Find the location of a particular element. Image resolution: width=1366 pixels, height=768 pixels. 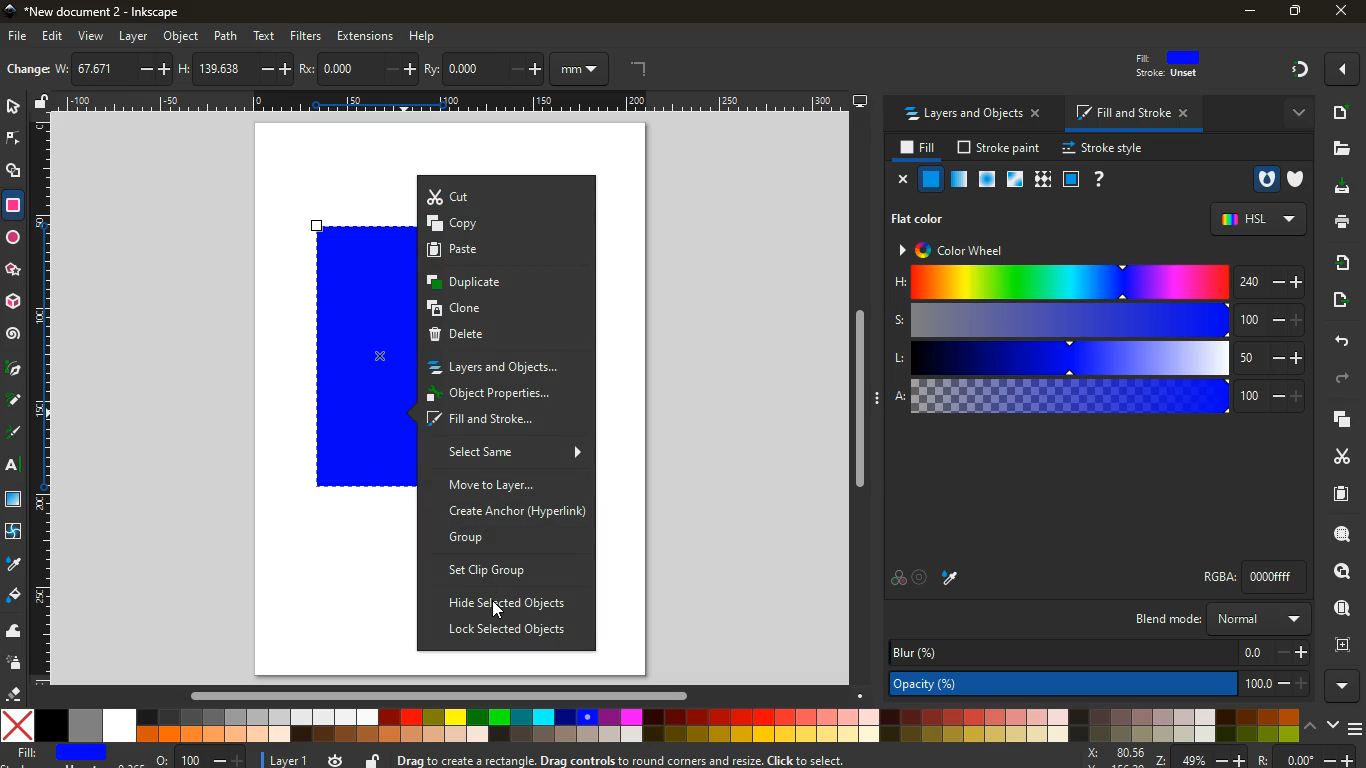

h is located at coordinates (237, 70).